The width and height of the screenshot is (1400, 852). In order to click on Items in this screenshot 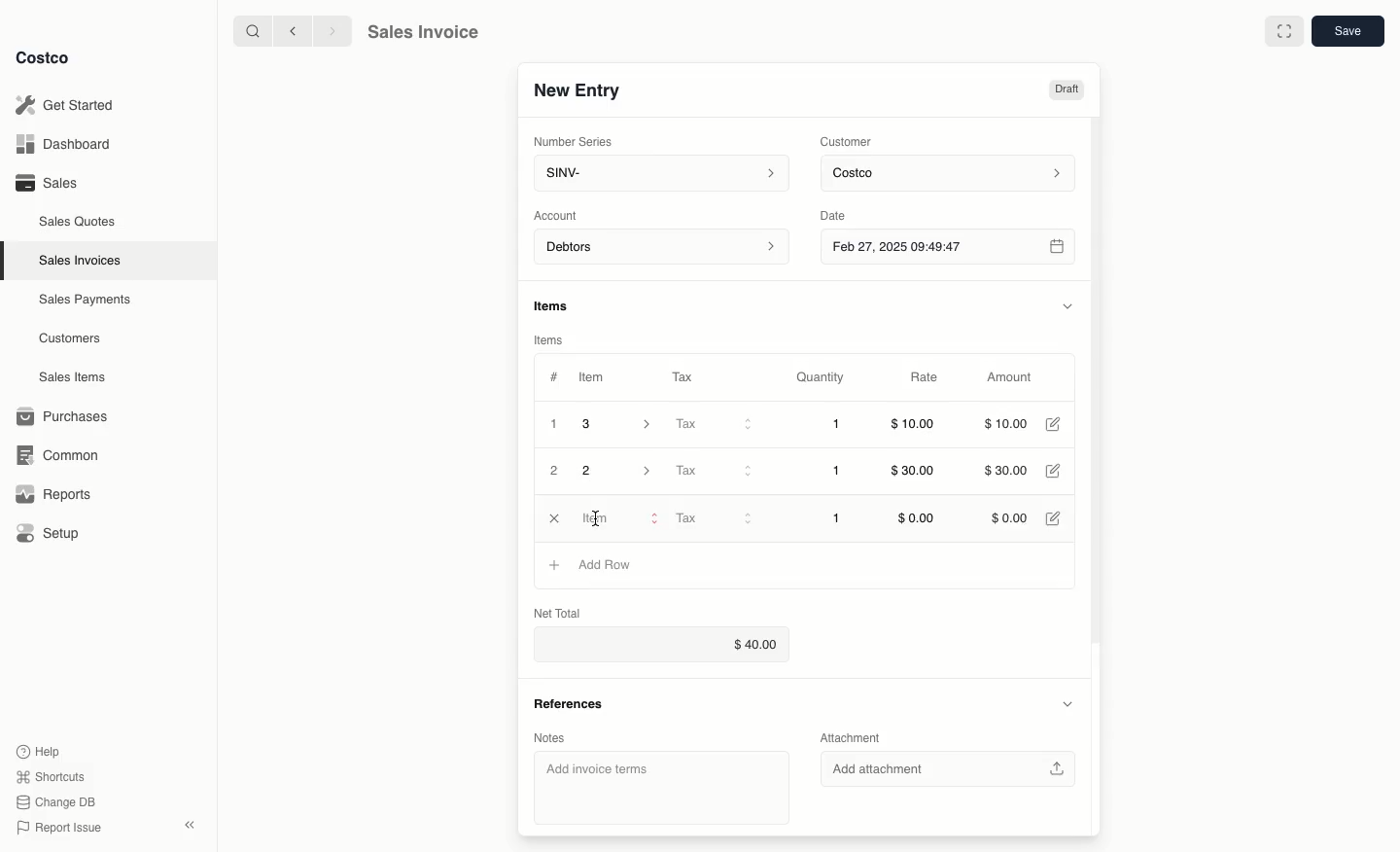, I will do `click(560, 307)`.